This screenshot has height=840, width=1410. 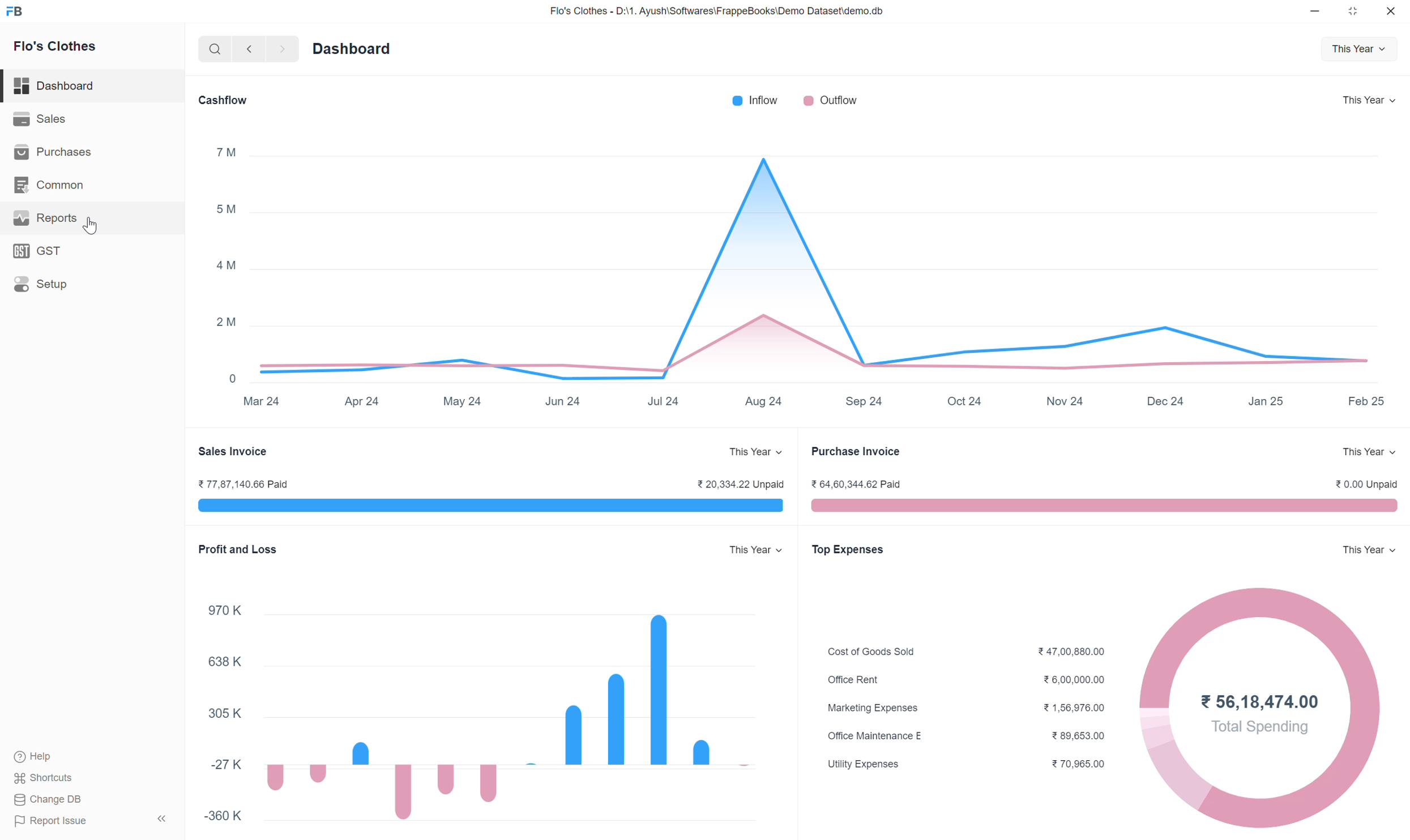 I want to click on dec 24, so click(x=1164, y=401).